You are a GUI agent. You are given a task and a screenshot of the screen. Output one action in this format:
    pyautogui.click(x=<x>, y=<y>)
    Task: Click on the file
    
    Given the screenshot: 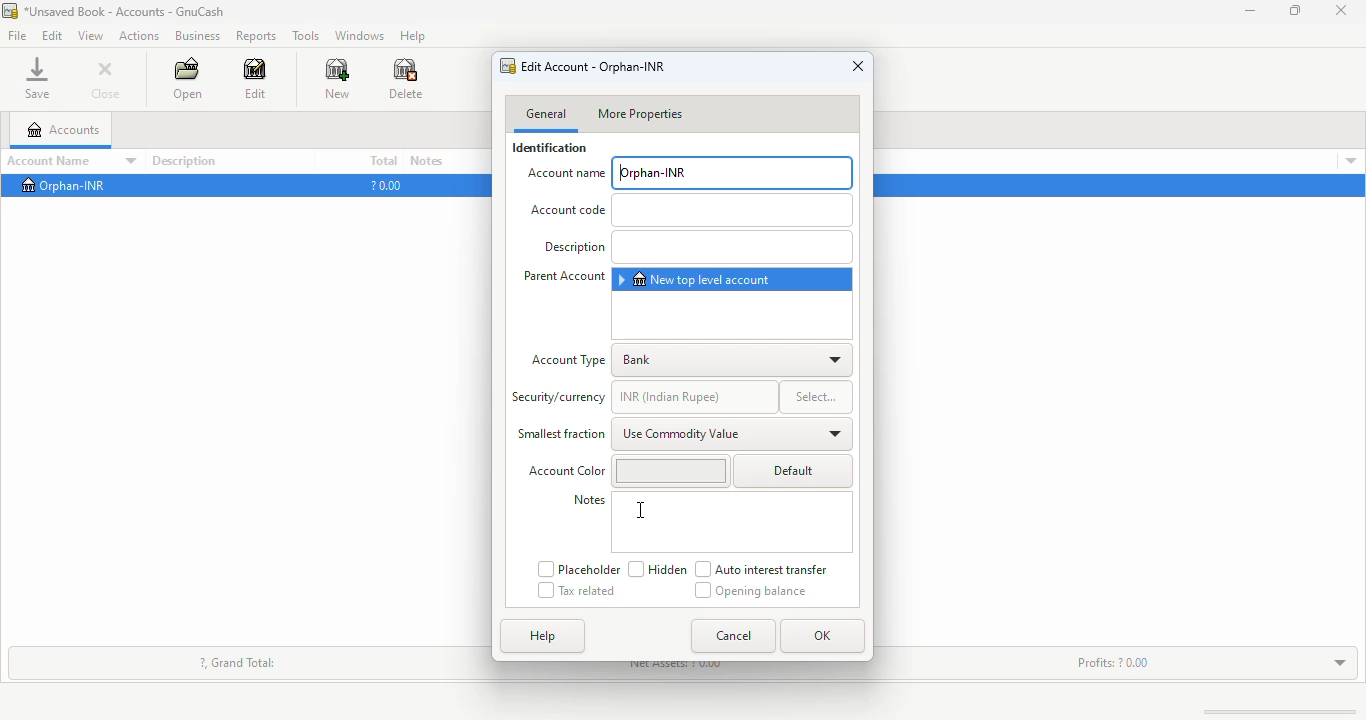 What is the action you would take?
    pyautogui.click(x=17, y=35)
    